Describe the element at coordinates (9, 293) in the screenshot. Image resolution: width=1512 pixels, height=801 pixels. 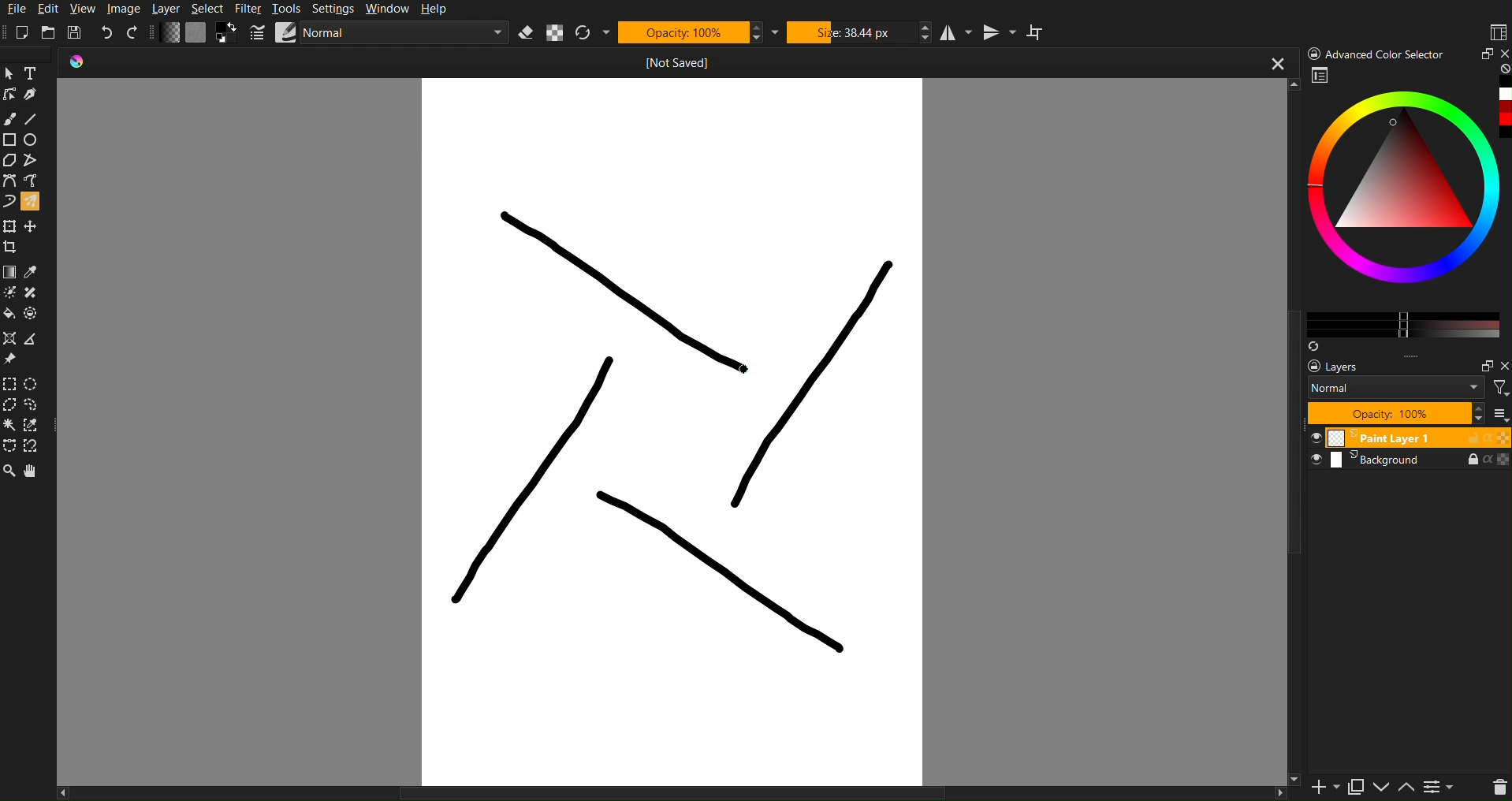
I see `Colorise Mask` at that location.